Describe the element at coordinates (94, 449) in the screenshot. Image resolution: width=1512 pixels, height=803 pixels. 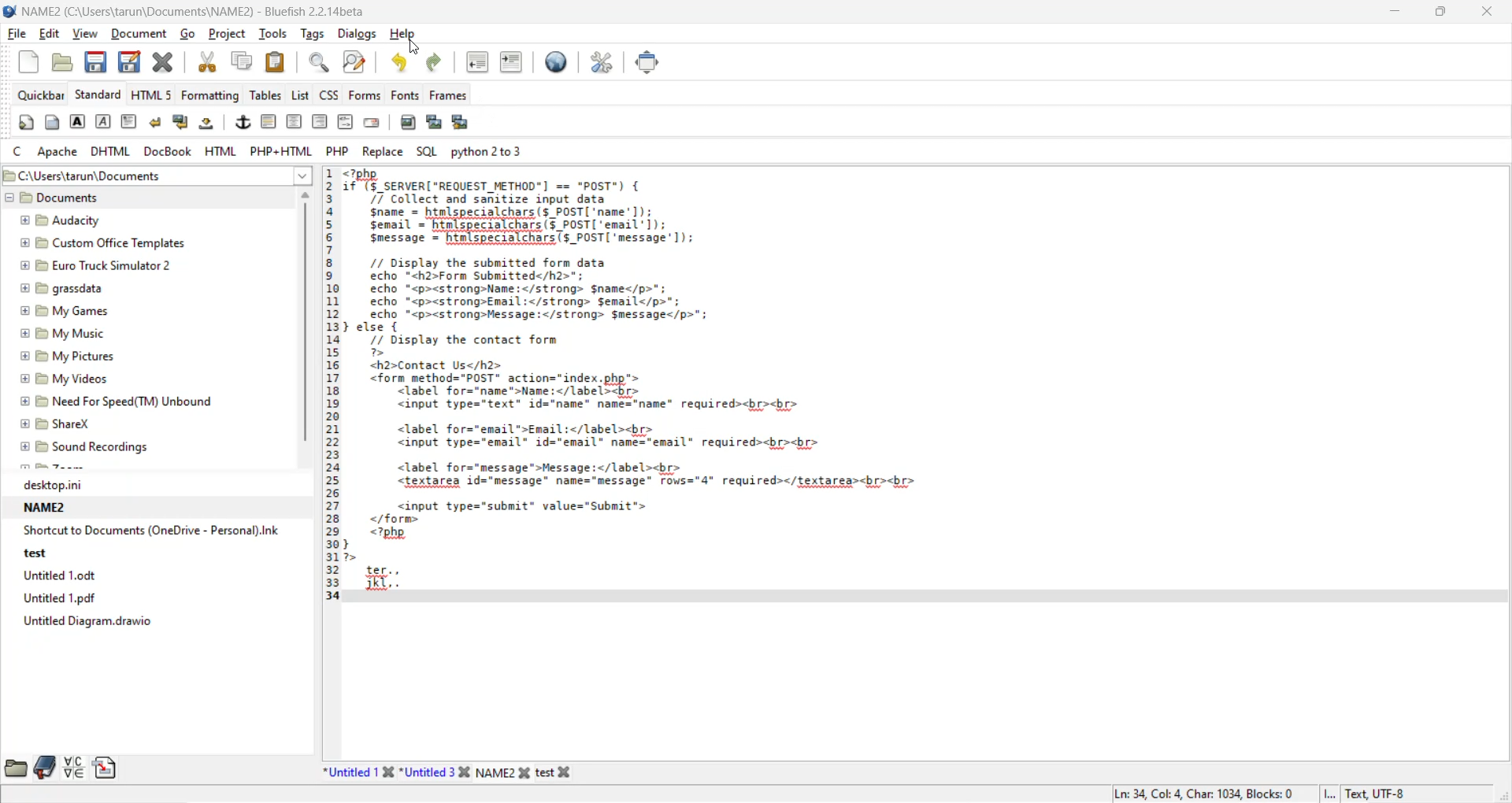
I see `Sound Recordings` at that location.